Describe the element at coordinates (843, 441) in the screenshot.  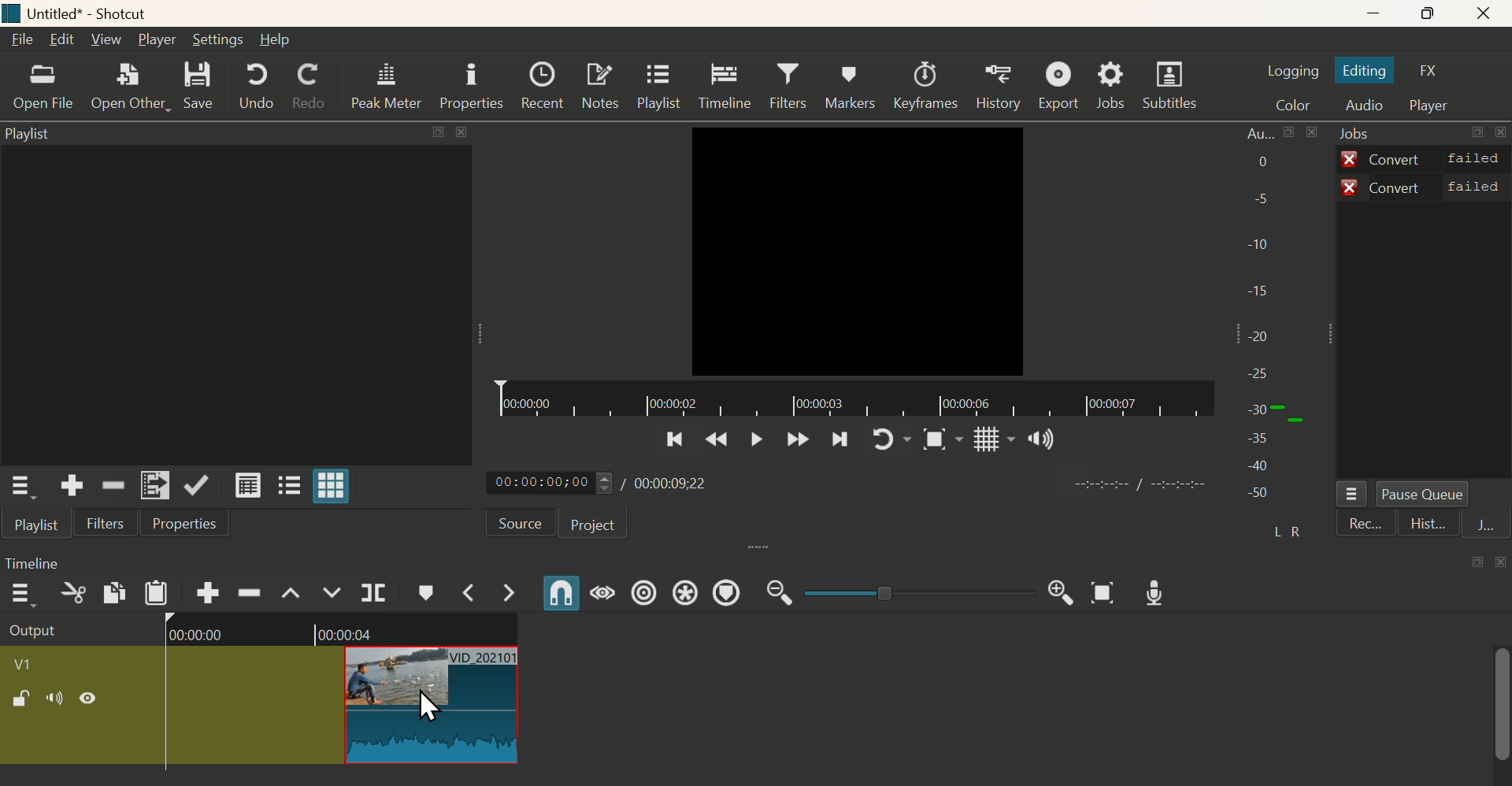
I see `Next` at that location.